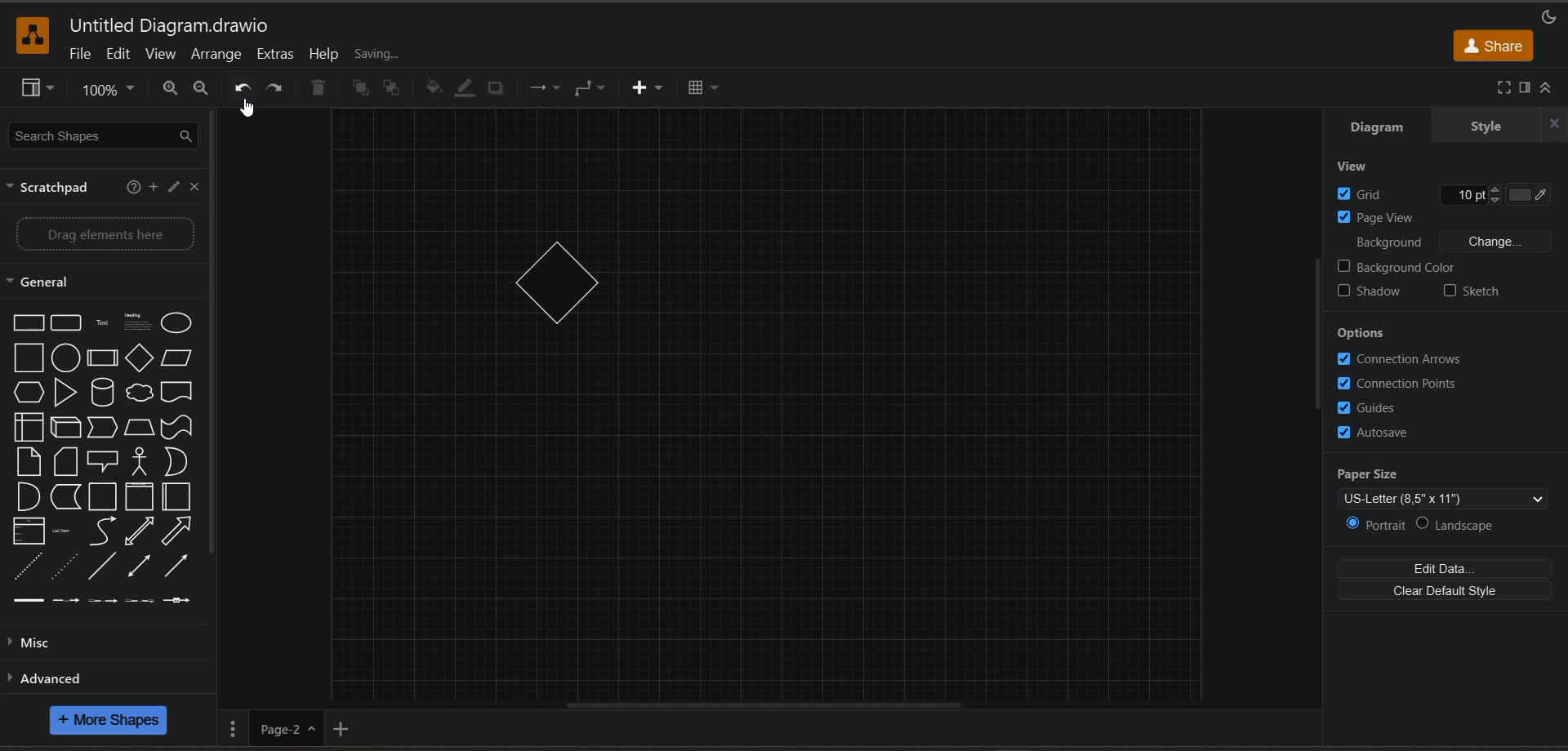 The image size is (1568, 751). Describe the element at coordinates (797, 706) in the screenshot. I see `horizontal scroll bar` at that location.